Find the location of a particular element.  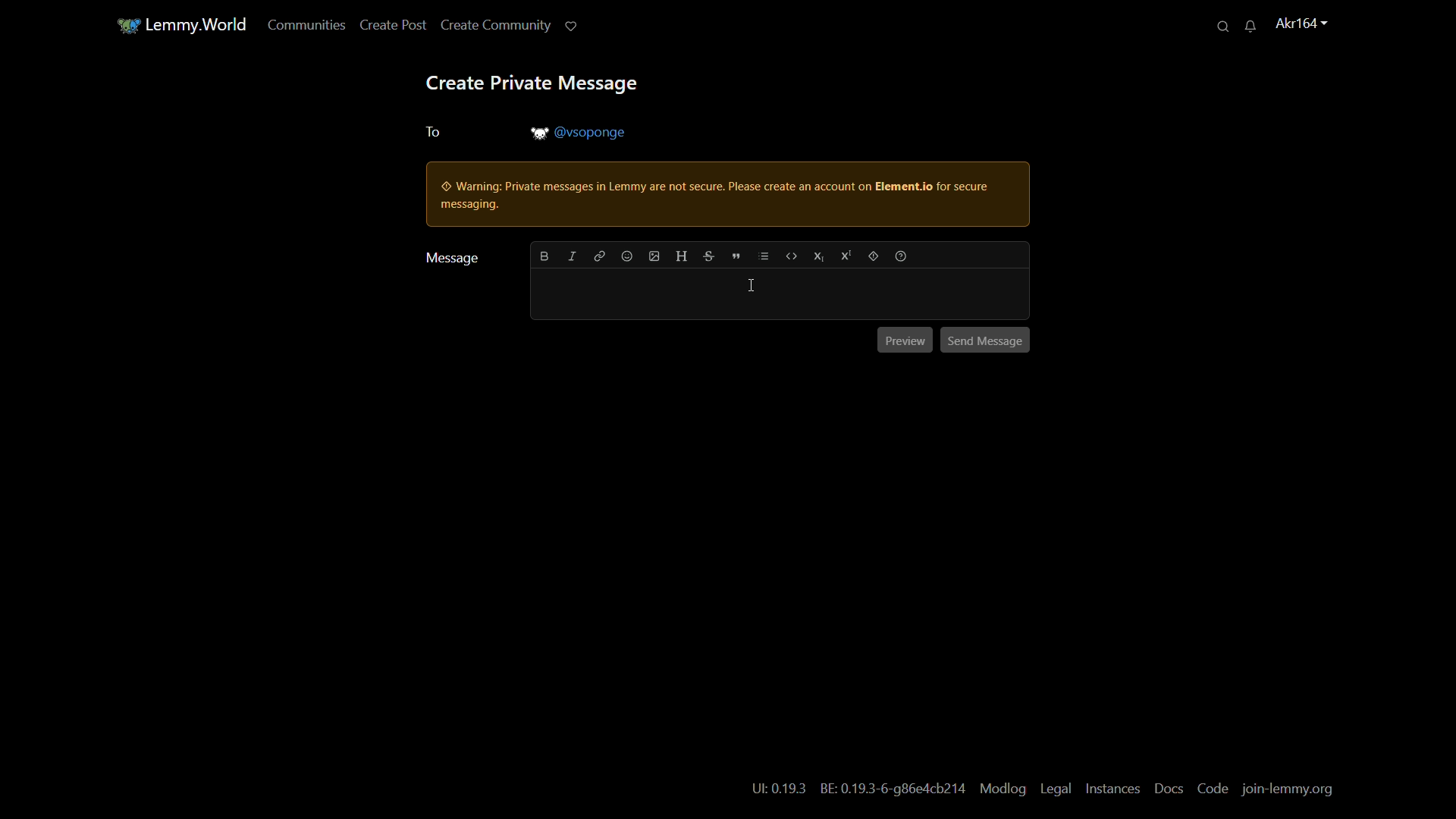

formatting help is located at coordinates (903, 256).